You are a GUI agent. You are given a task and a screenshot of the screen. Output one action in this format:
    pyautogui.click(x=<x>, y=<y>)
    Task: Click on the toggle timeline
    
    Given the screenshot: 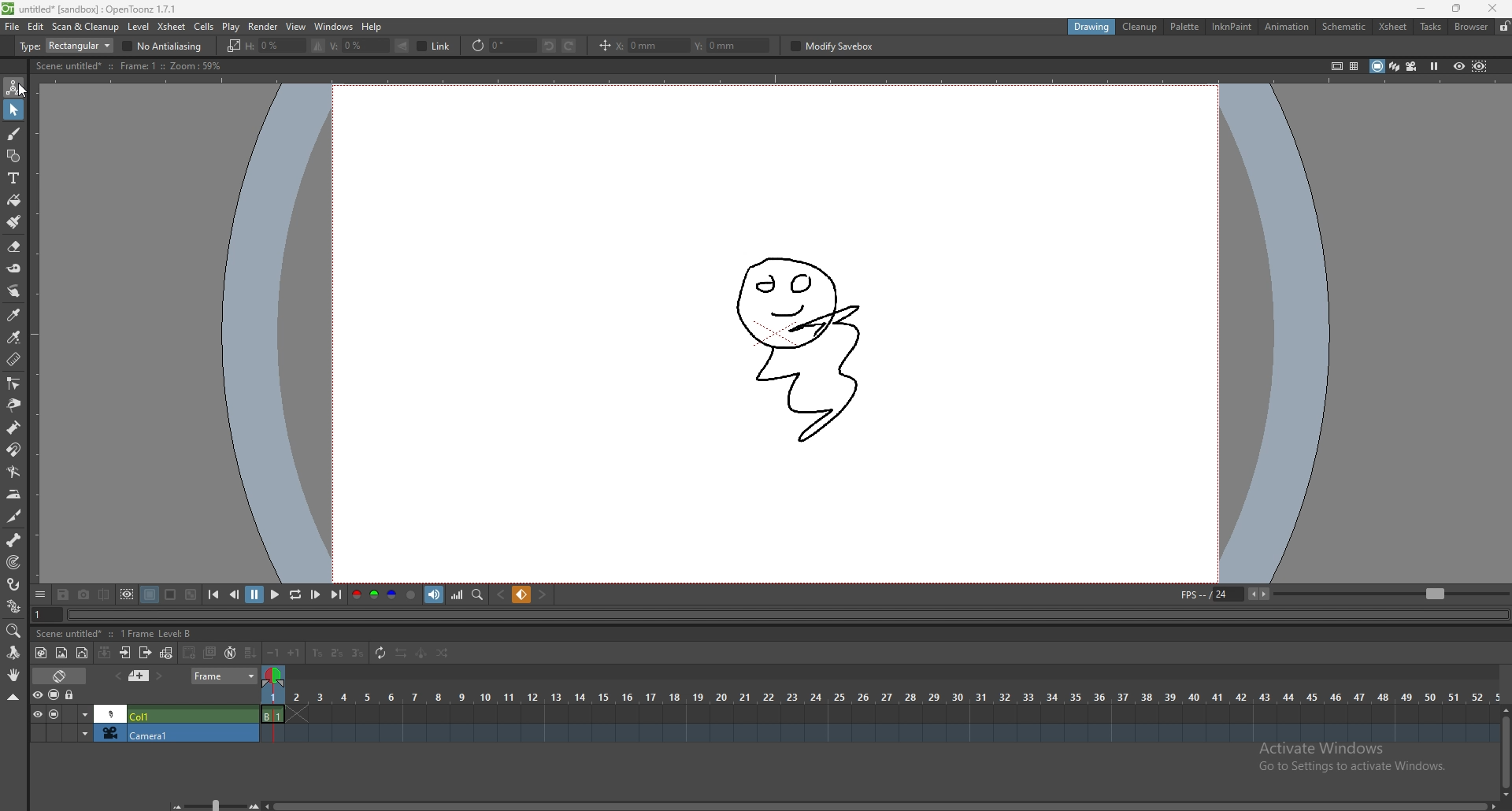 What is the action you would take?
    pyautogui.click(x=59, y=676)
    